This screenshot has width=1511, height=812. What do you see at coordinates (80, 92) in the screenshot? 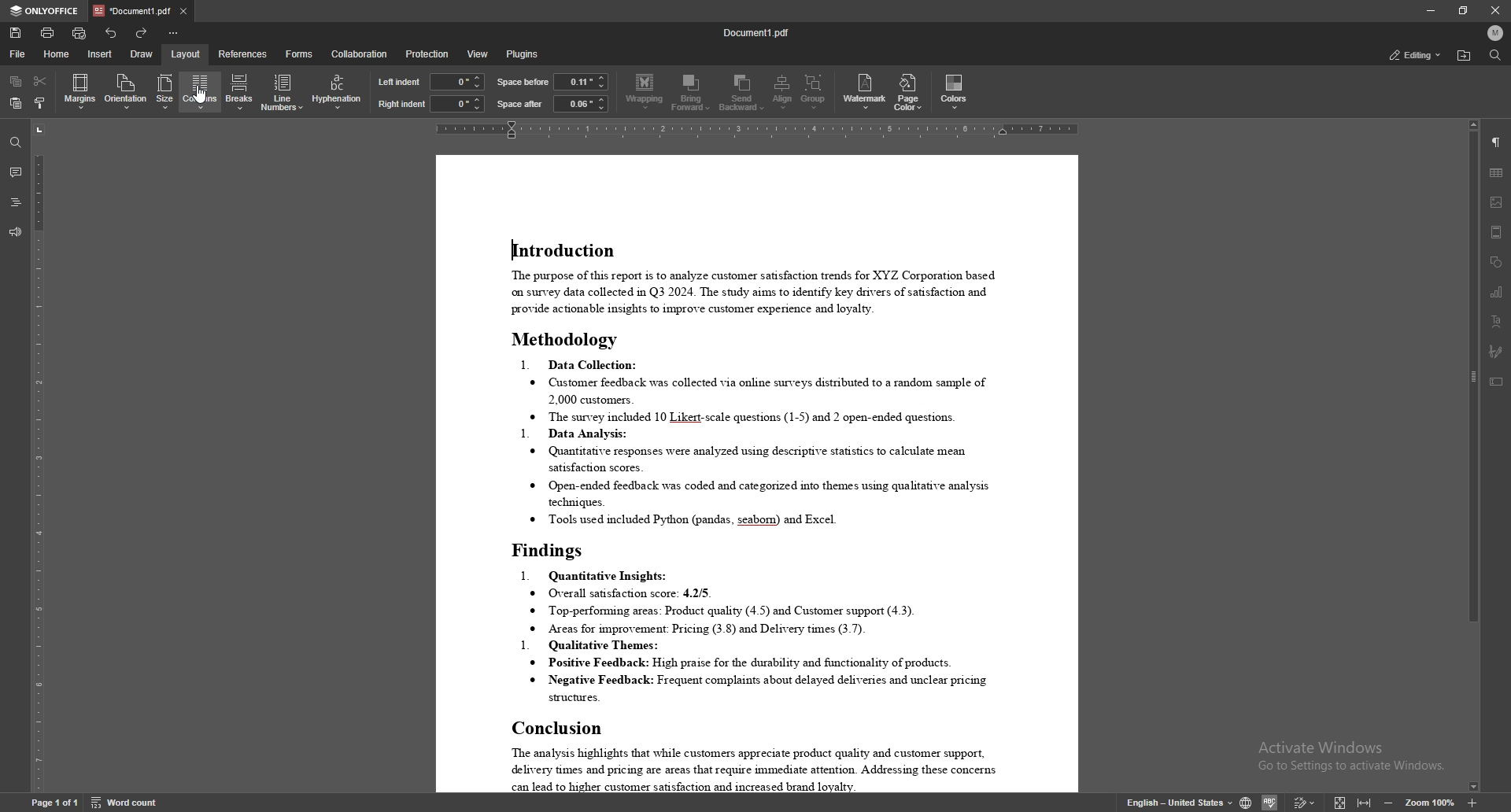
I see `margins` at bounding box center [80, 92].